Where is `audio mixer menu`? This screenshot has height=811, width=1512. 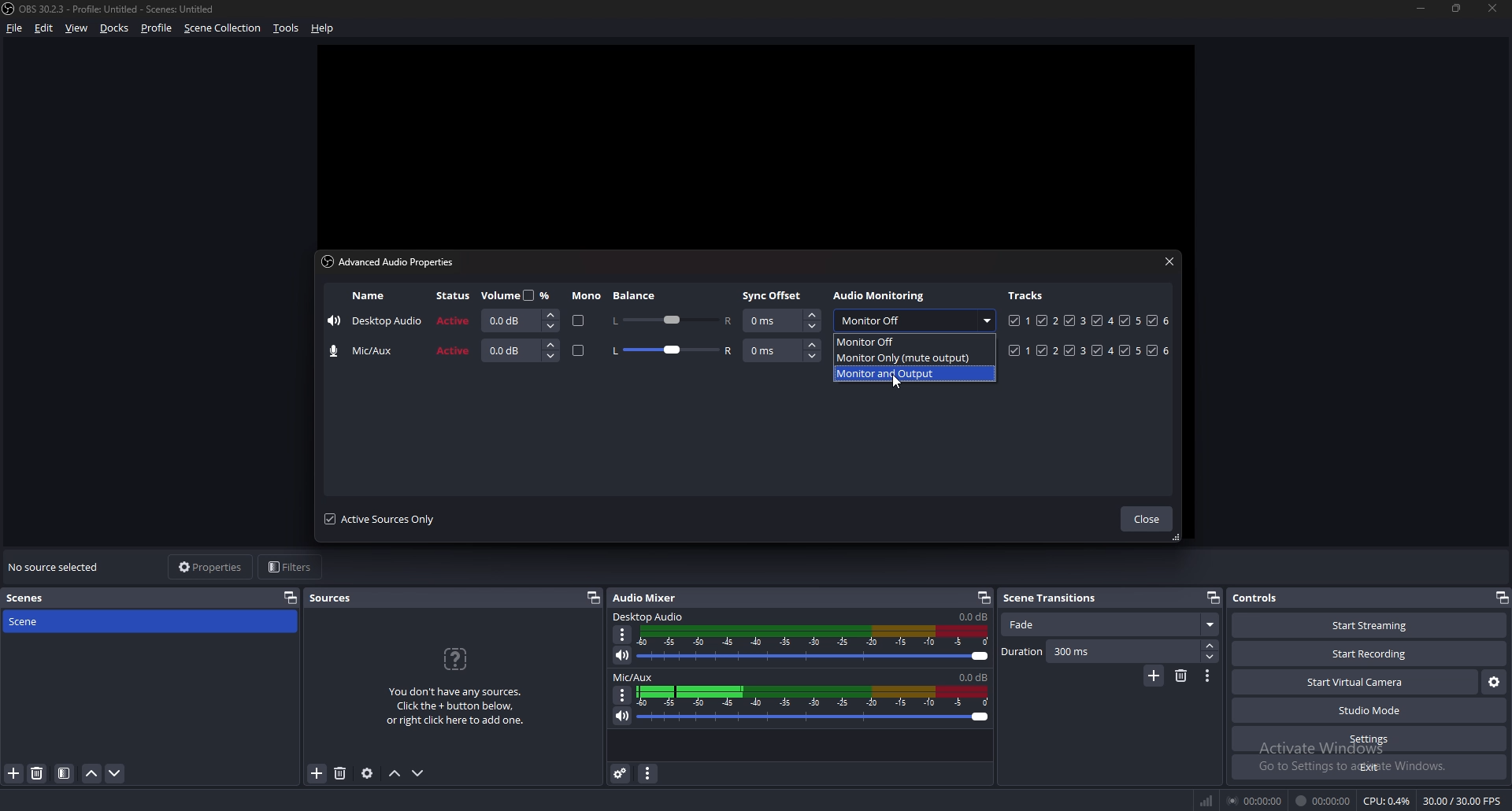
audio mixer menu is located at coordinates (650, 774).